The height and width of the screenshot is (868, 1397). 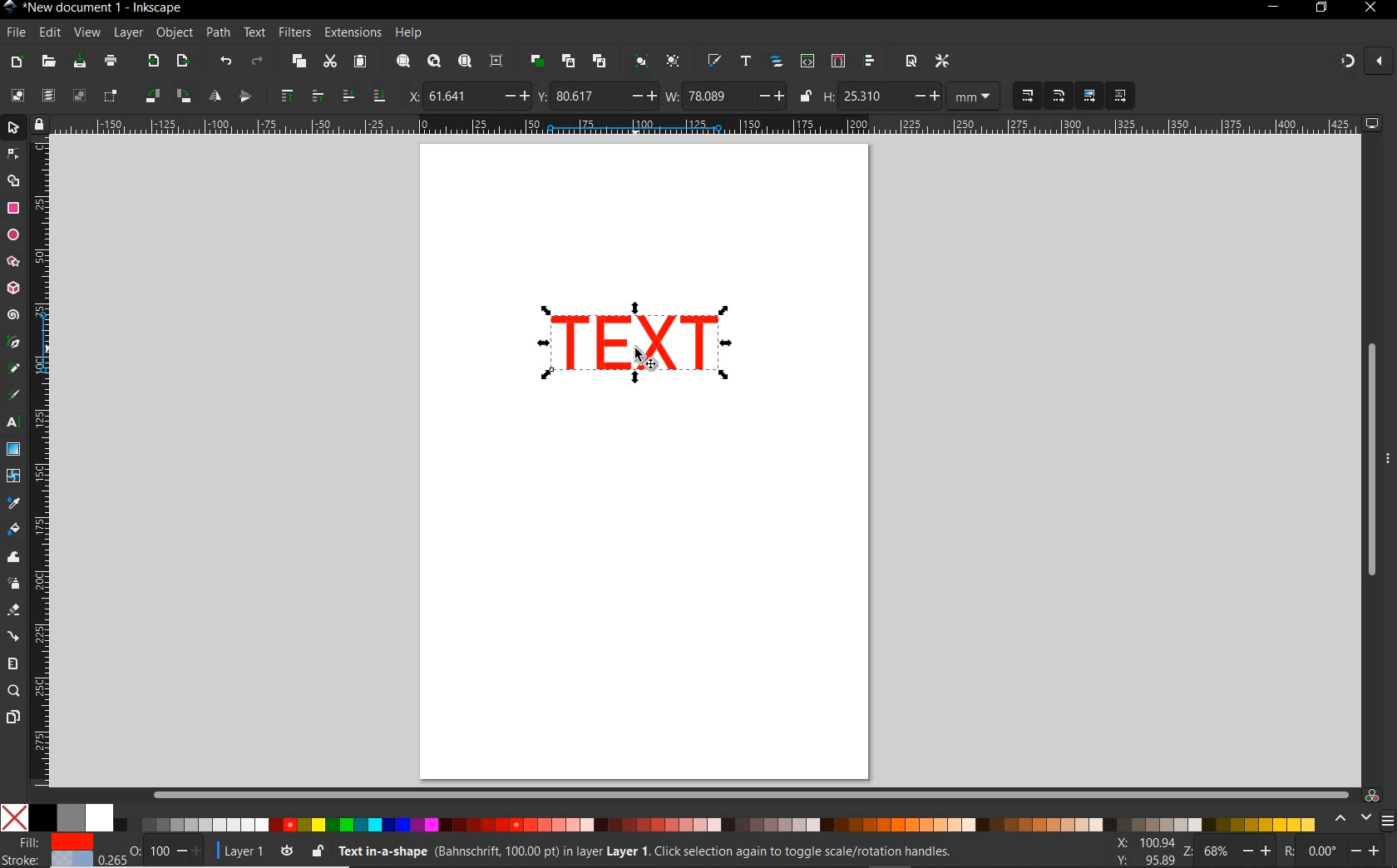 I want to click on text, so click(x=255, y=33).